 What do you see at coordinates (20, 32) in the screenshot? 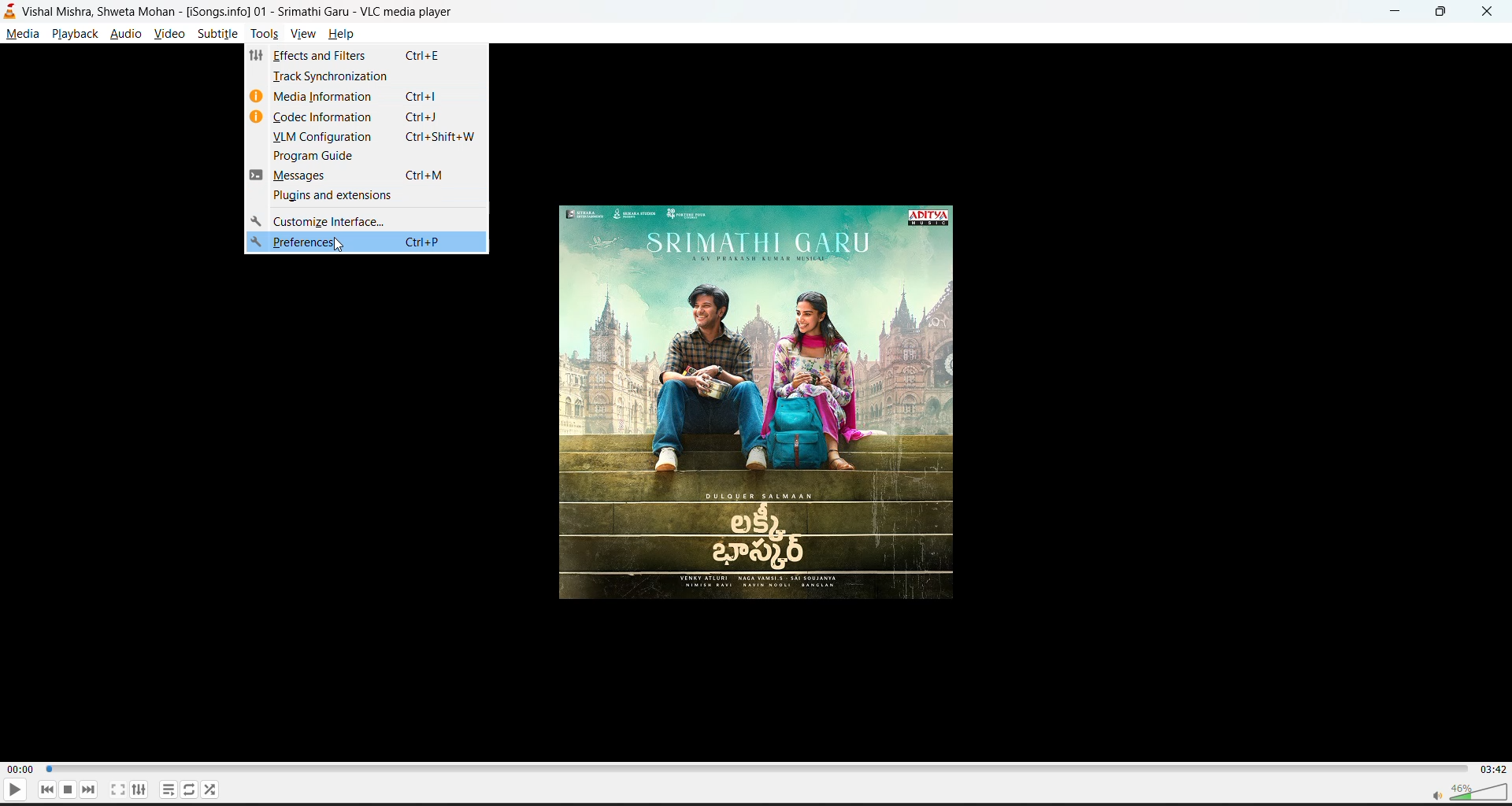
I see `media` at bounding box center [20, 32].